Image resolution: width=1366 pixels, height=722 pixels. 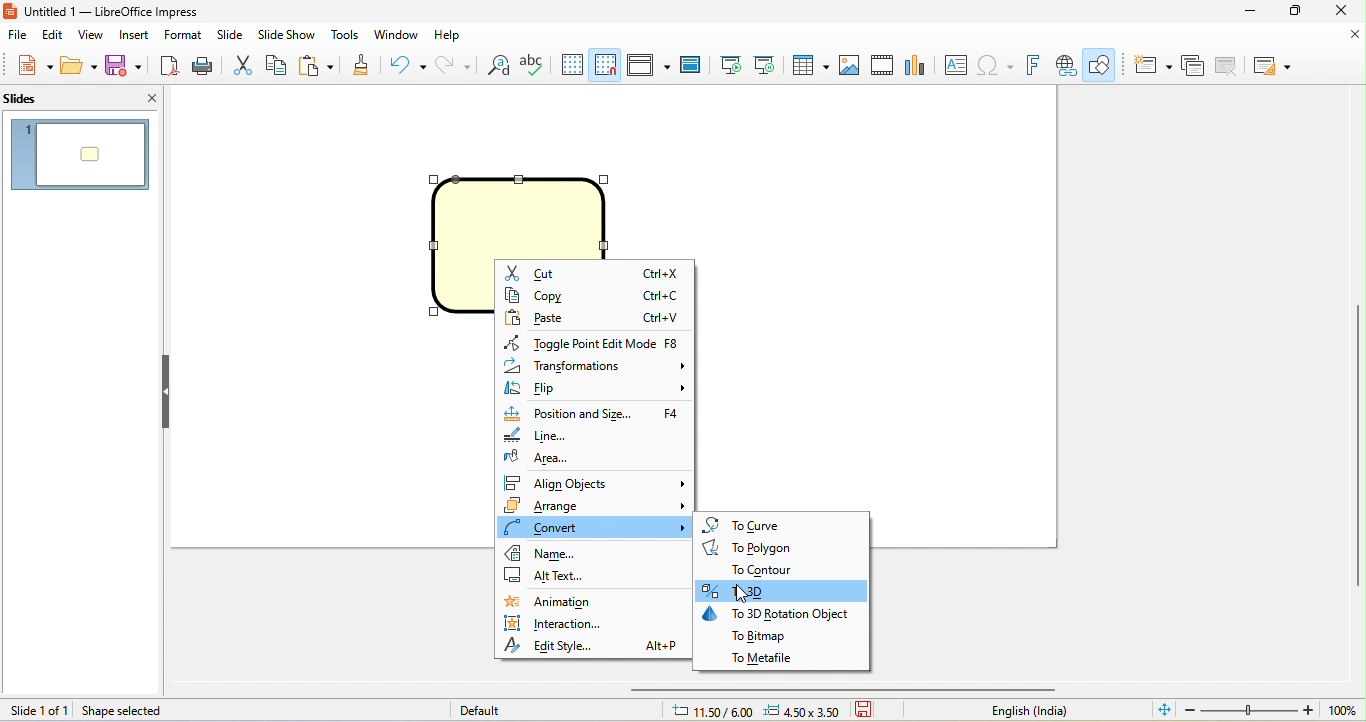 I want to click on clone formatting, so click(x=362, y=64).